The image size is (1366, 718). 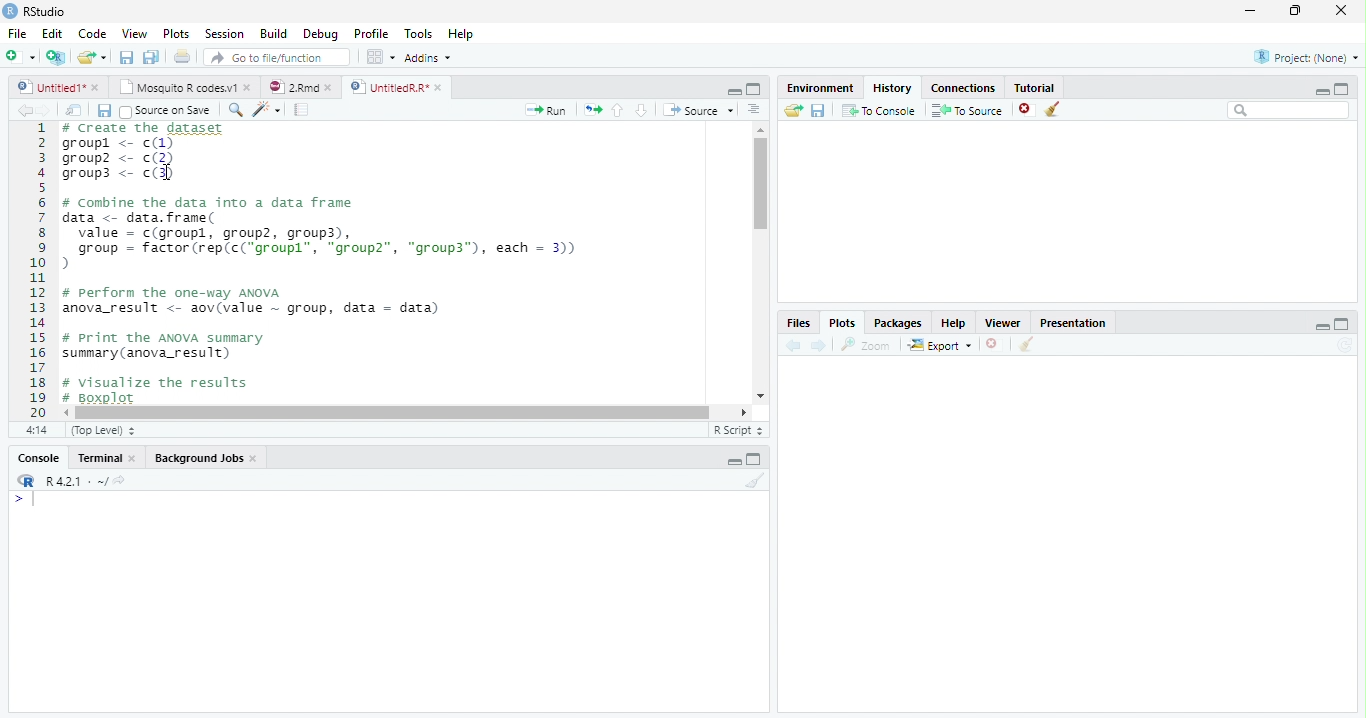 I want to click on Alignment, so click(x=753, y=111).